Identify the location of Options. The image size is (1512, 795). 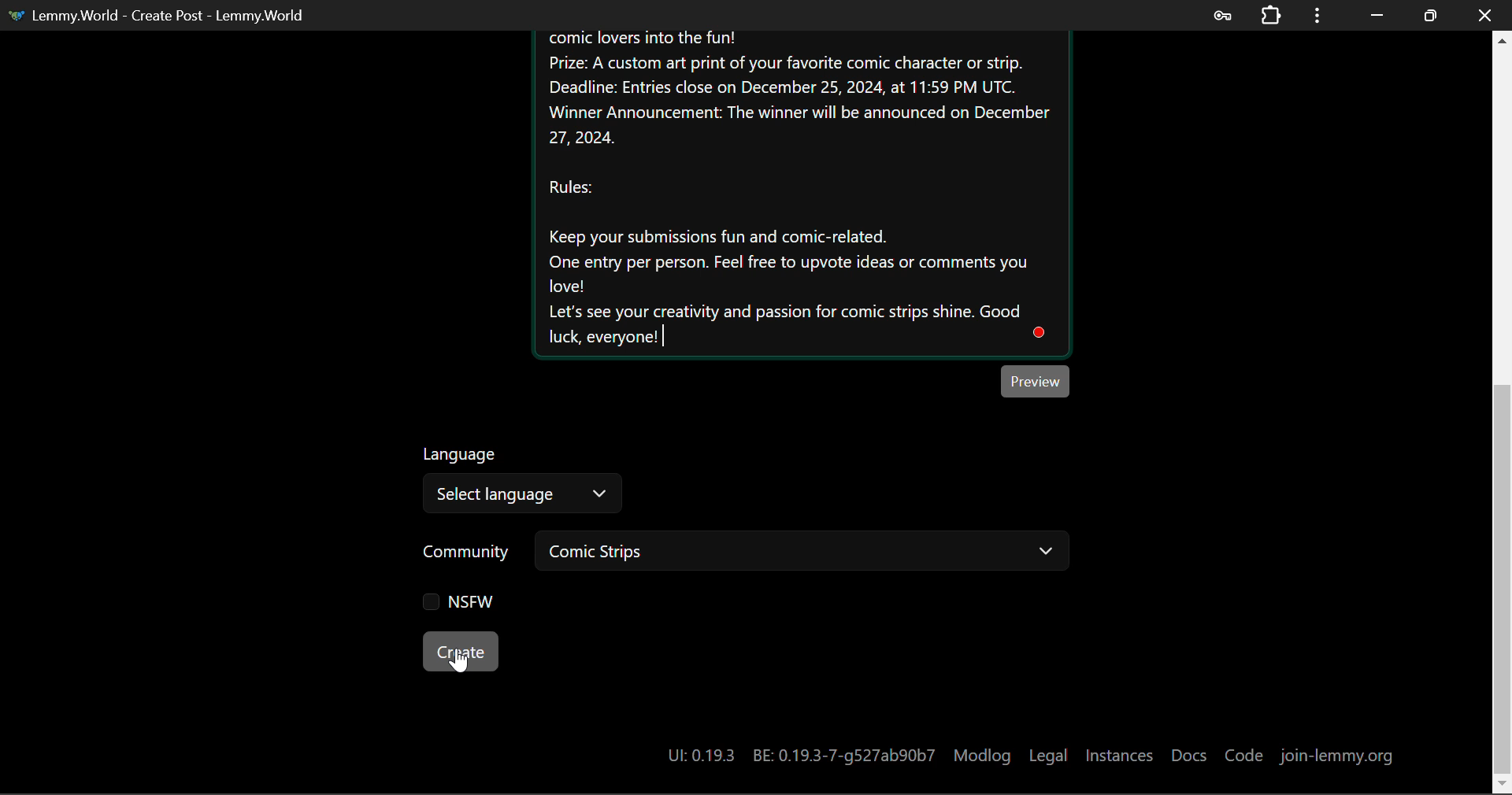
(1315, 15).